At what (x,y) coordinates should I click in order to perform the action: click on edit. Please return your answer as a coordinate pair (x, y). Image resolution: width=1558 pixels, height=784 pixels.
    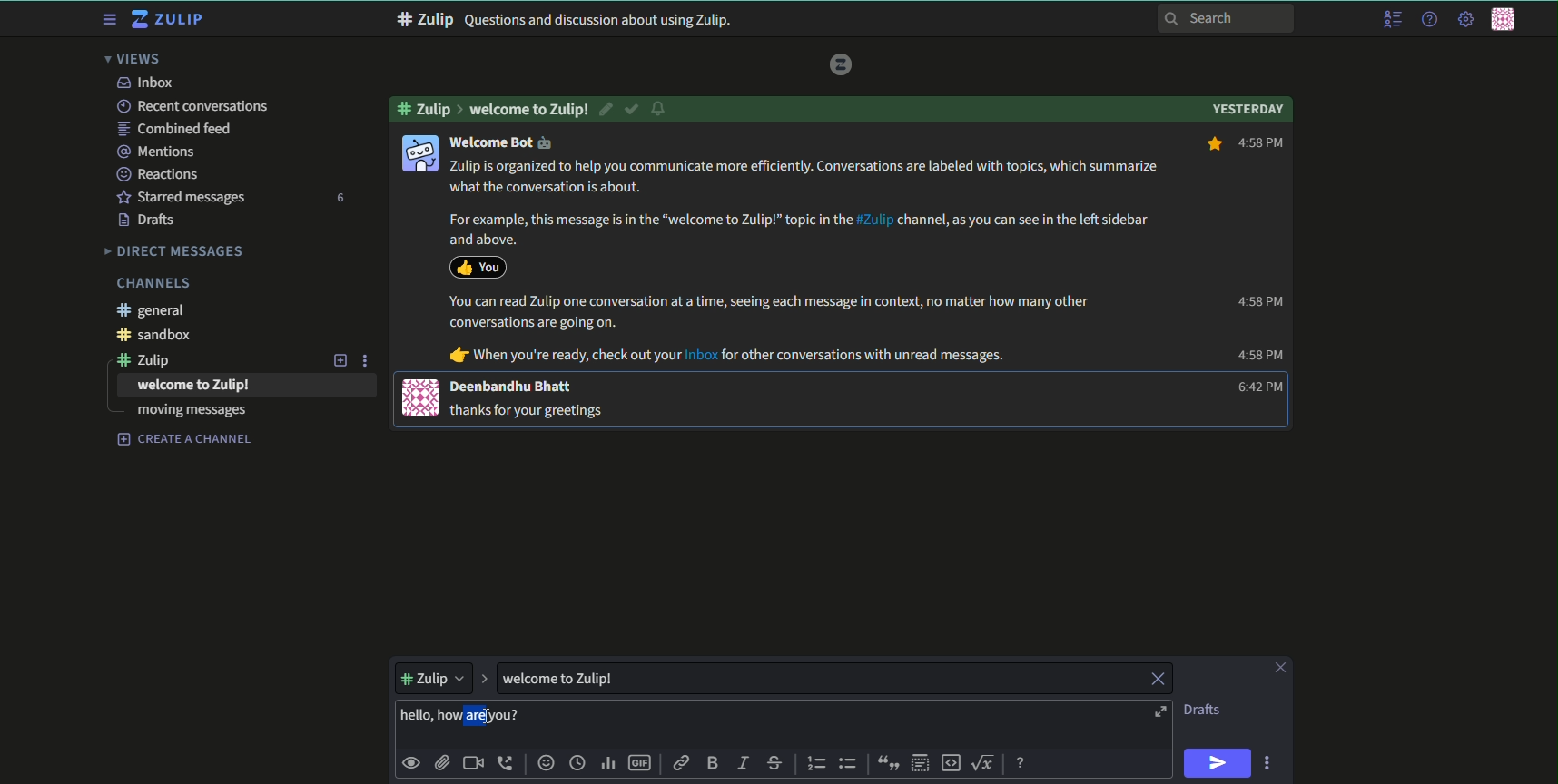
    Looking at the image, I should click on (607, 109).